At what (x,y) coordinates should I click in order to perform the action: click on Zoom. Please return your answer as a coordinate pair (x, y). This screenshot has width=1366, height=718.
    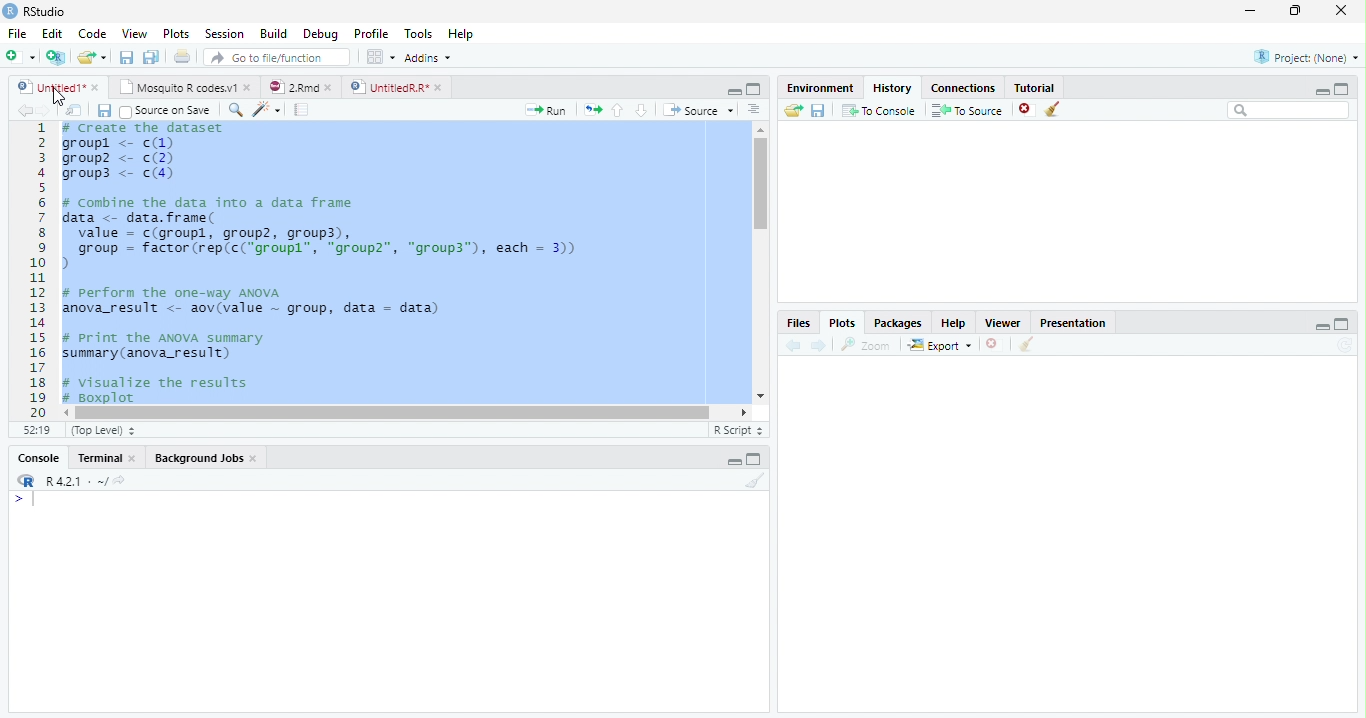
    Looking at the image, I should click on (867, 345).